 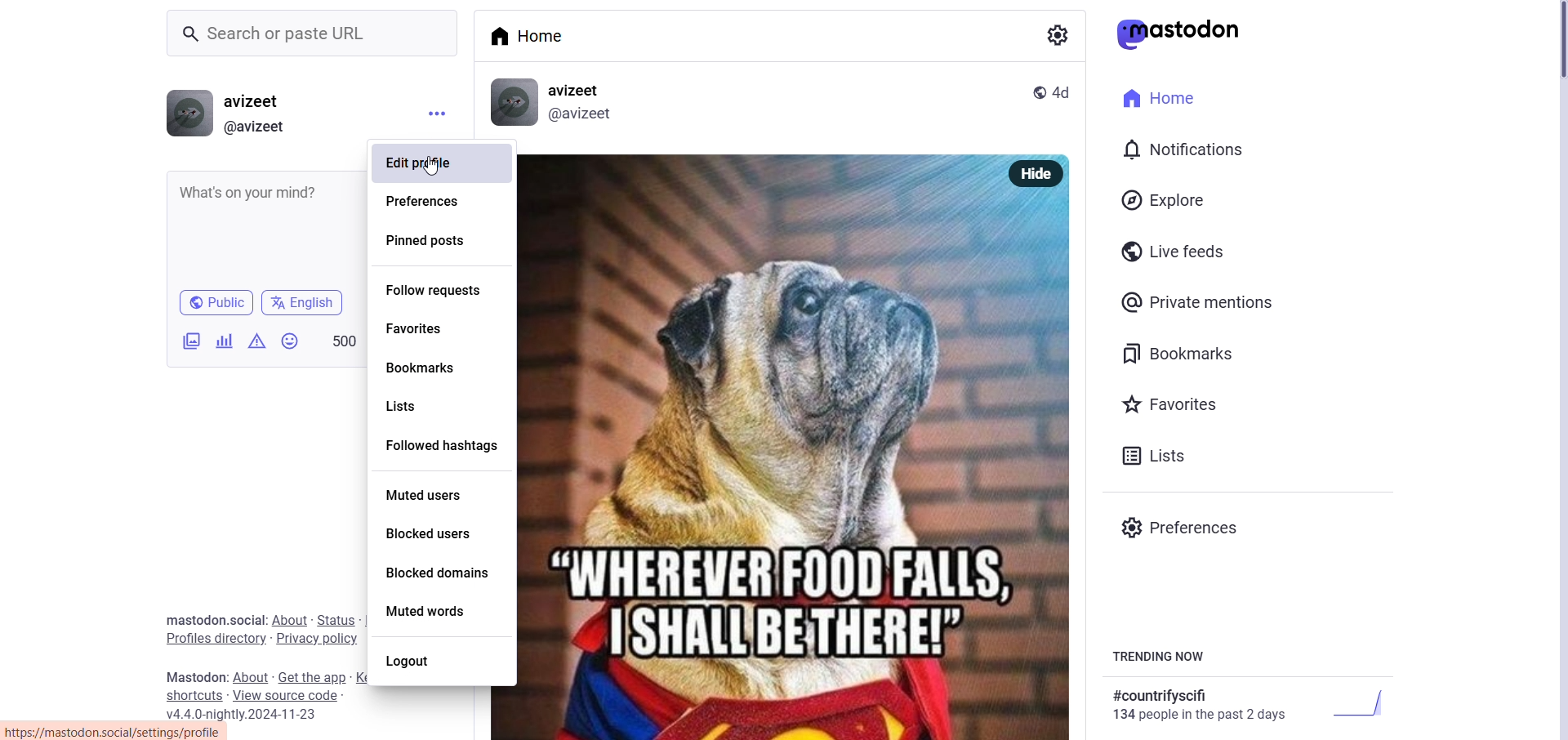 I want to click on blocked domains, so click(x=443, y=570).